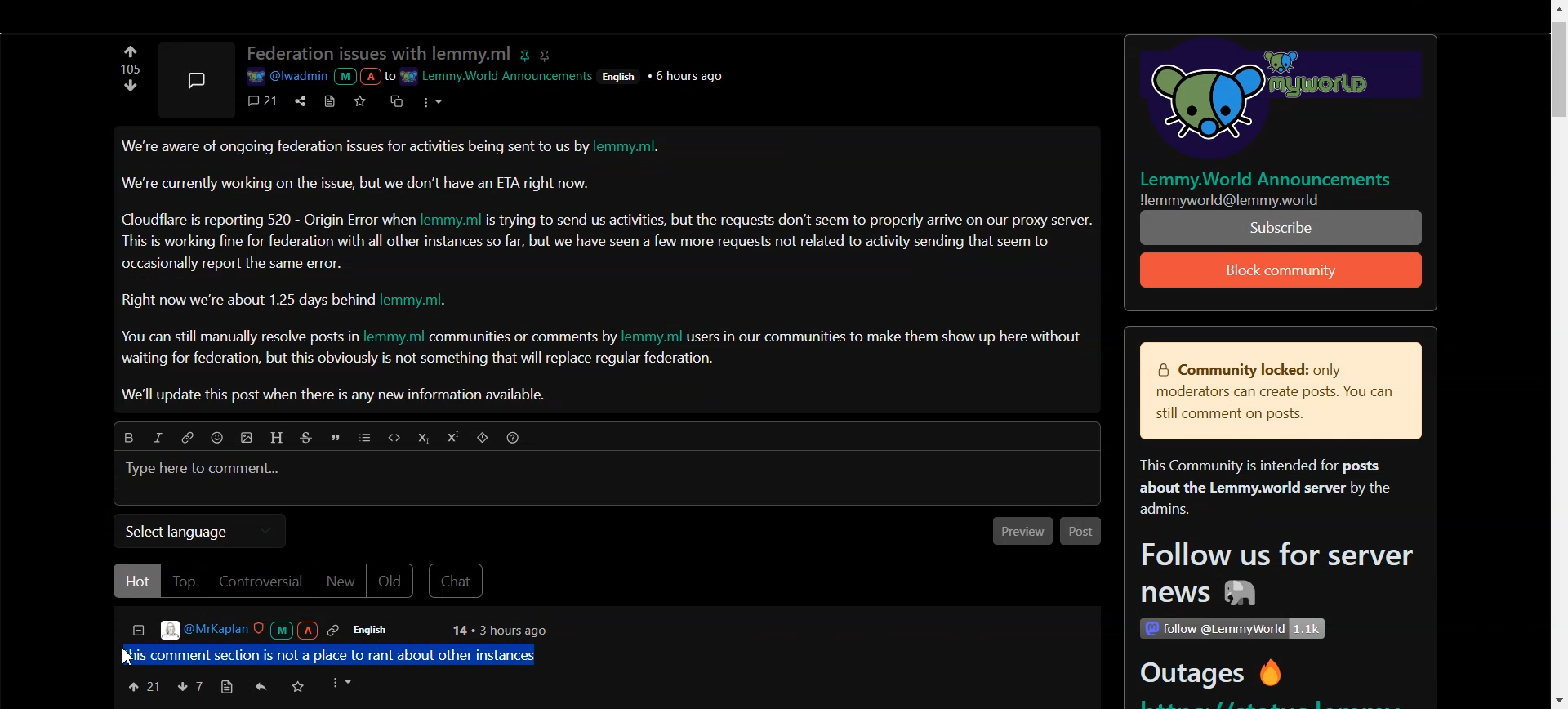 The width and height of the screenshot is (1568, 709). Describe the element at coordinates (131, 91) in the screenshot. I see `Upvote` at that location.